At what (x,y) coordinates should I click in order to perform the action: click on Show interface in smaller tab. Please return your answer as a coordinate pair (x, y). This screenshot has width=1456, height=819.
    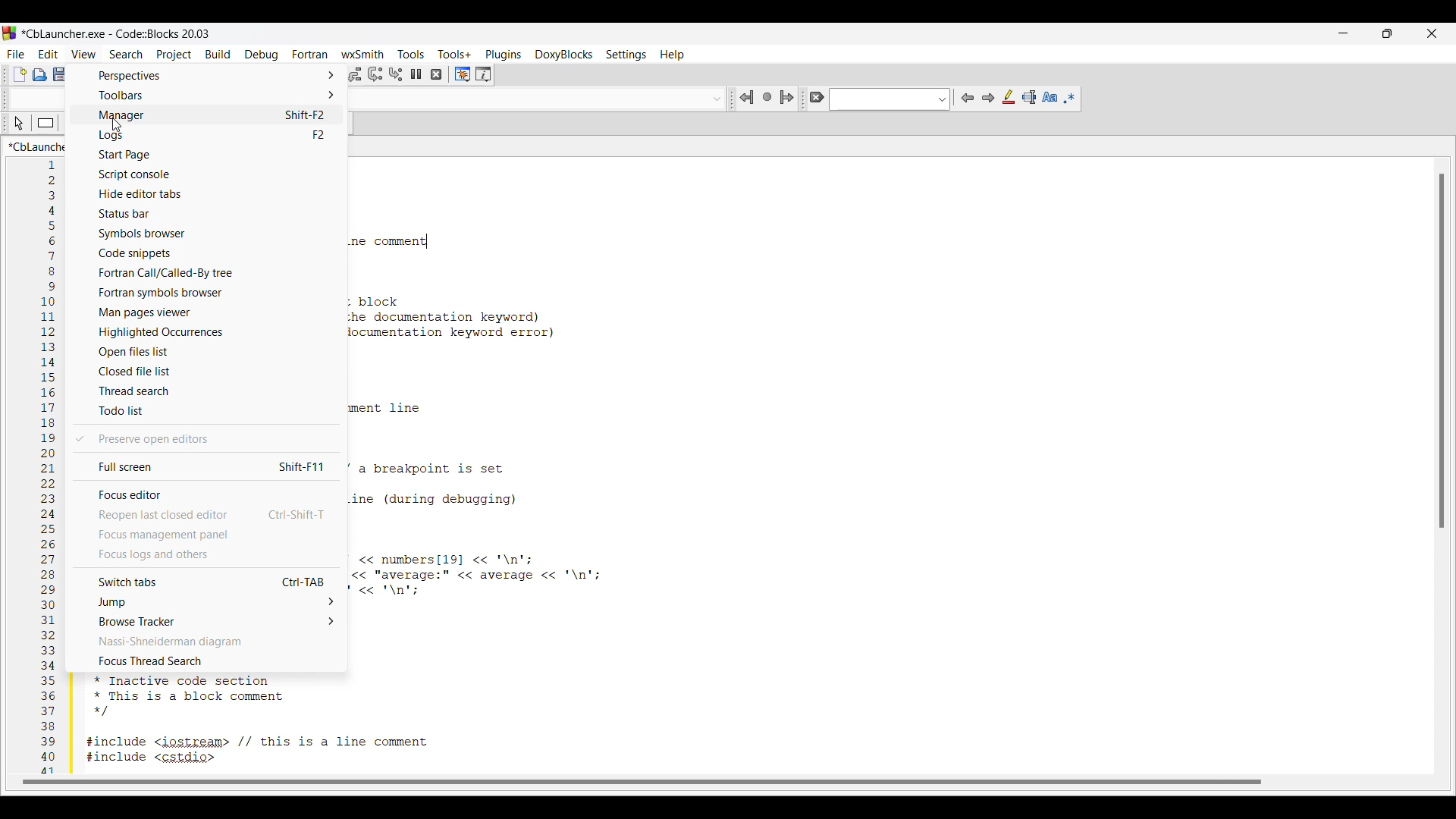
    Looking at the image, I should click on (1387, 33).